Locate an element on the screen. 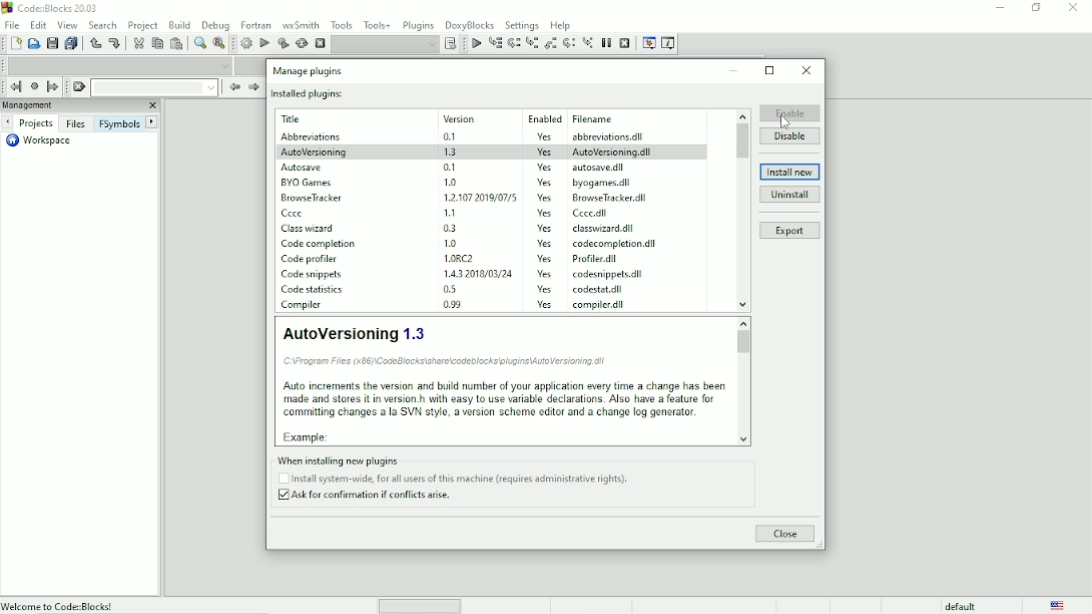 The width and height of the screenshot is (1092, 614). Last jump is located at coordinates (34, 86).